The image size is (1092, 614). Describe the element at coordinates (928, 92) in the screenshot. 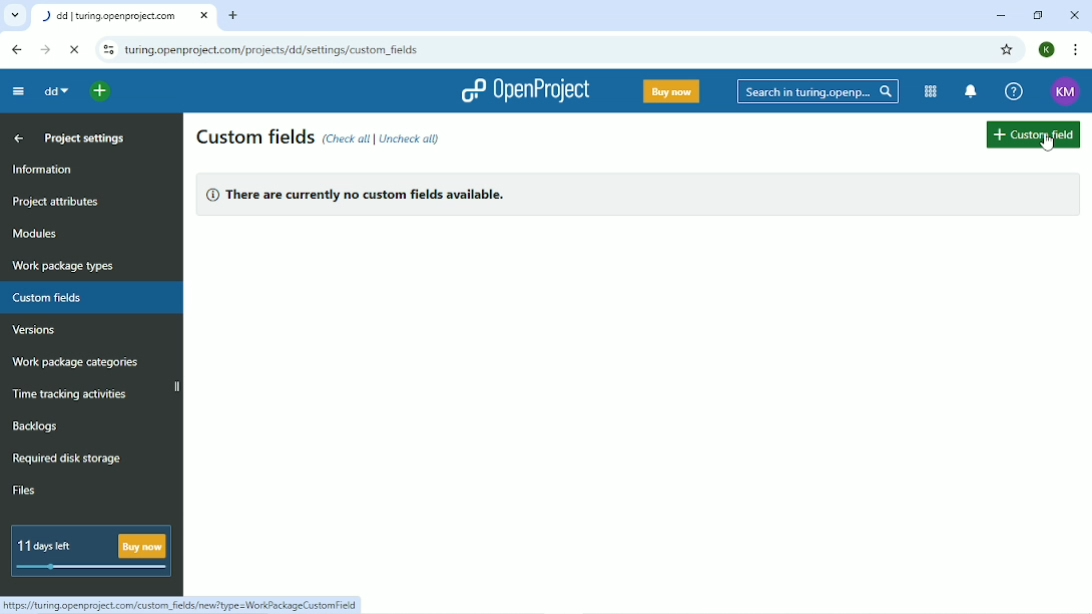

I see `Modules` at that location.